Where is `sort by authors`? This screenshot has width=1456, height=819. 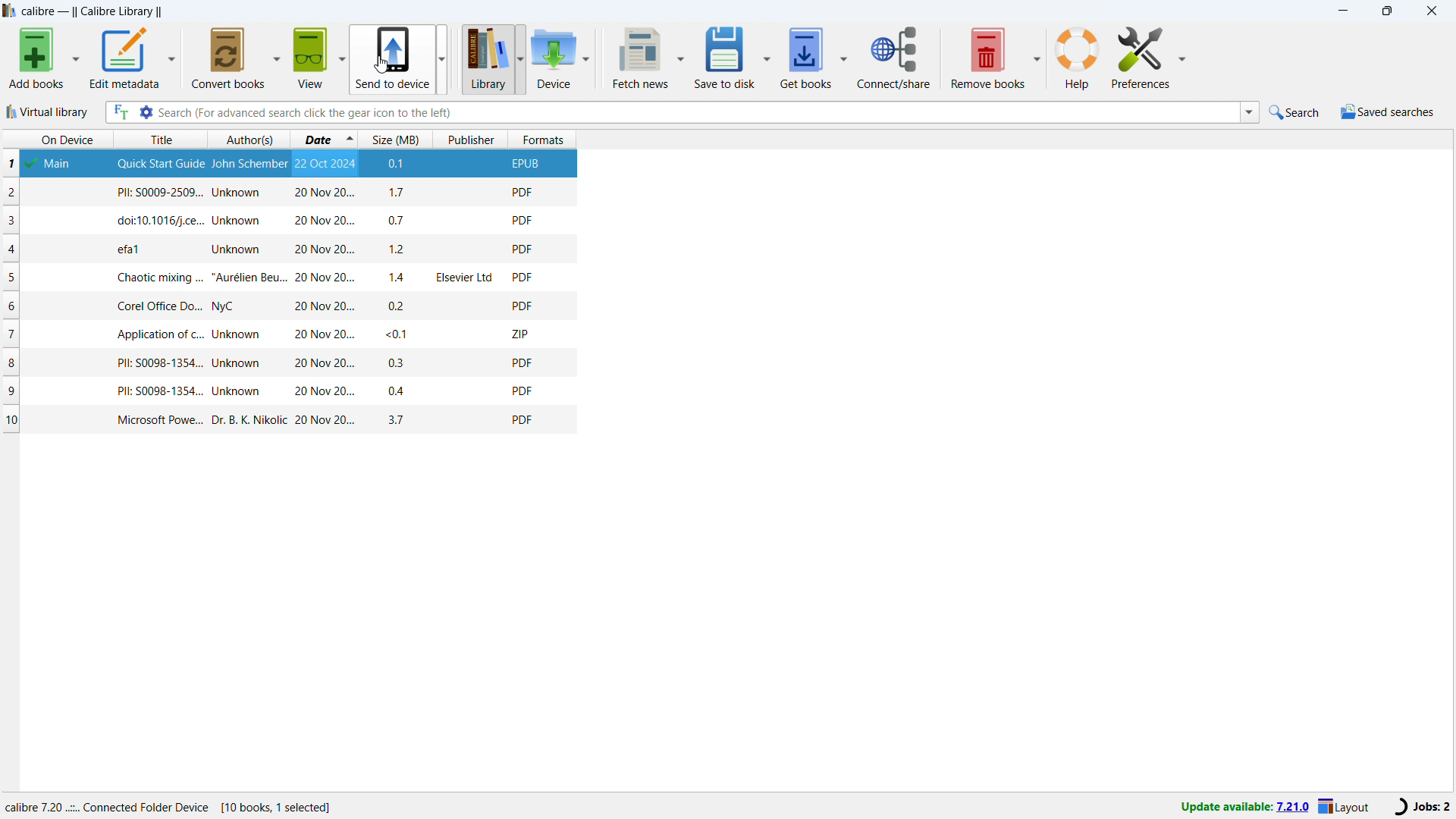
sort by authors is located at coordinates (249, 140).